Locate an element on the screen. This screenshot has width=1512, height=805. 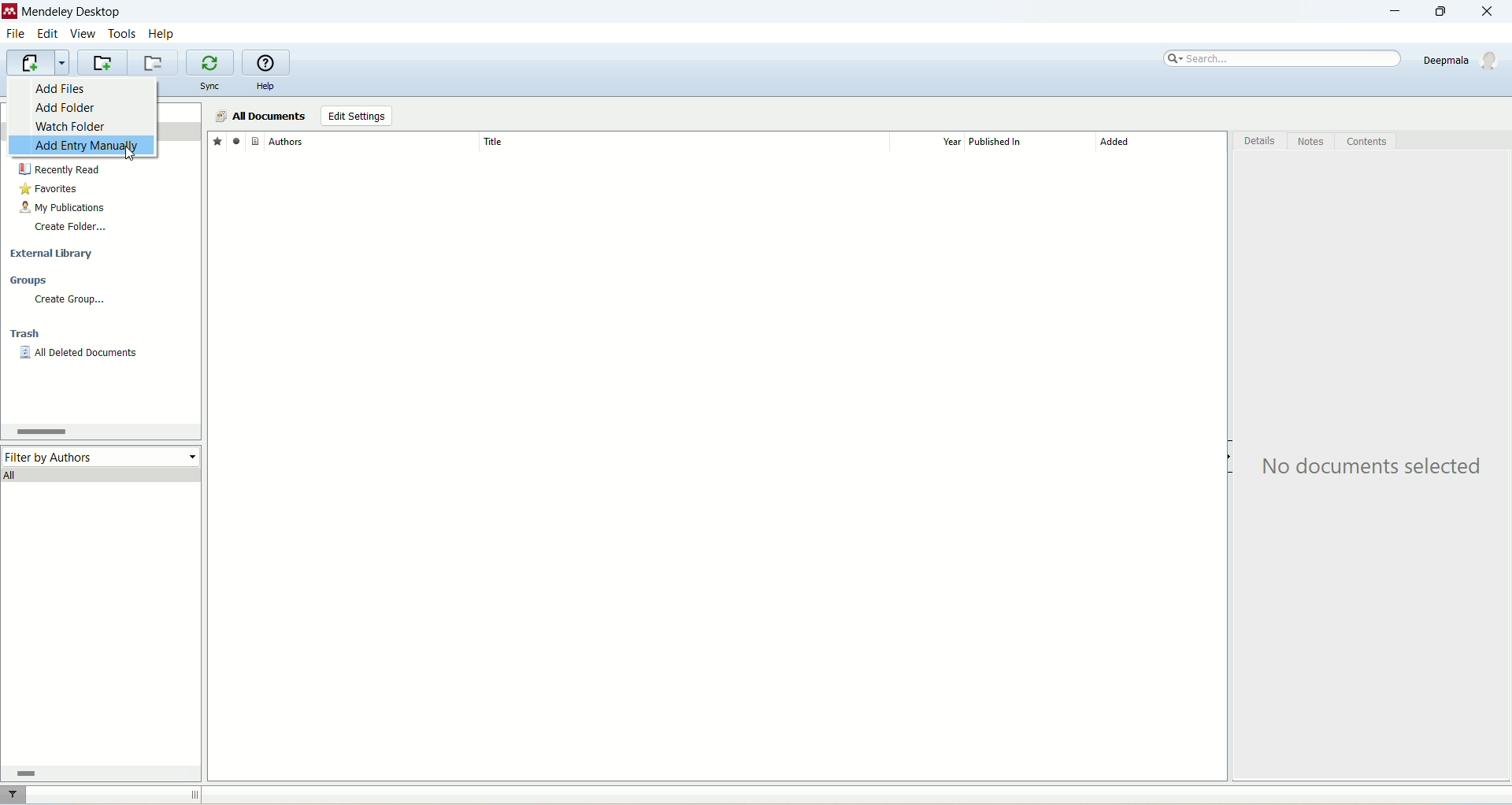
trash is located at coordinates (28, 336).